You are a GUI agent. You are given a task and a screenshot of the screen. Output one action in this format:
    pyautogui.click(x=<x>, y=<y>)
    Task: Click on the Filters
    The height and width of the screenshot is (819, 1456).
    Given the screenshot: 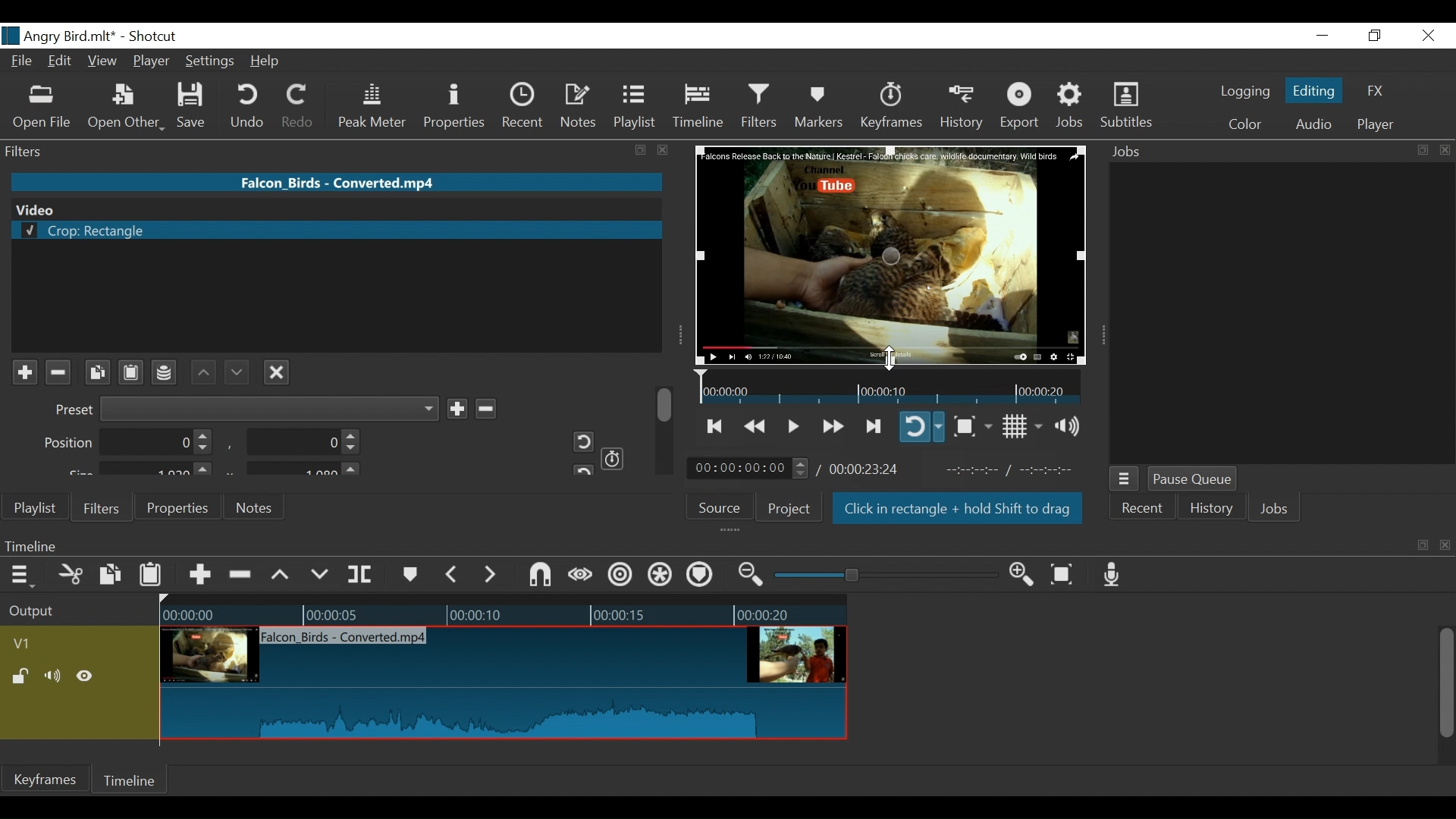 What is the action you would take?
    pyautogui.click(x=99, y=507)
    